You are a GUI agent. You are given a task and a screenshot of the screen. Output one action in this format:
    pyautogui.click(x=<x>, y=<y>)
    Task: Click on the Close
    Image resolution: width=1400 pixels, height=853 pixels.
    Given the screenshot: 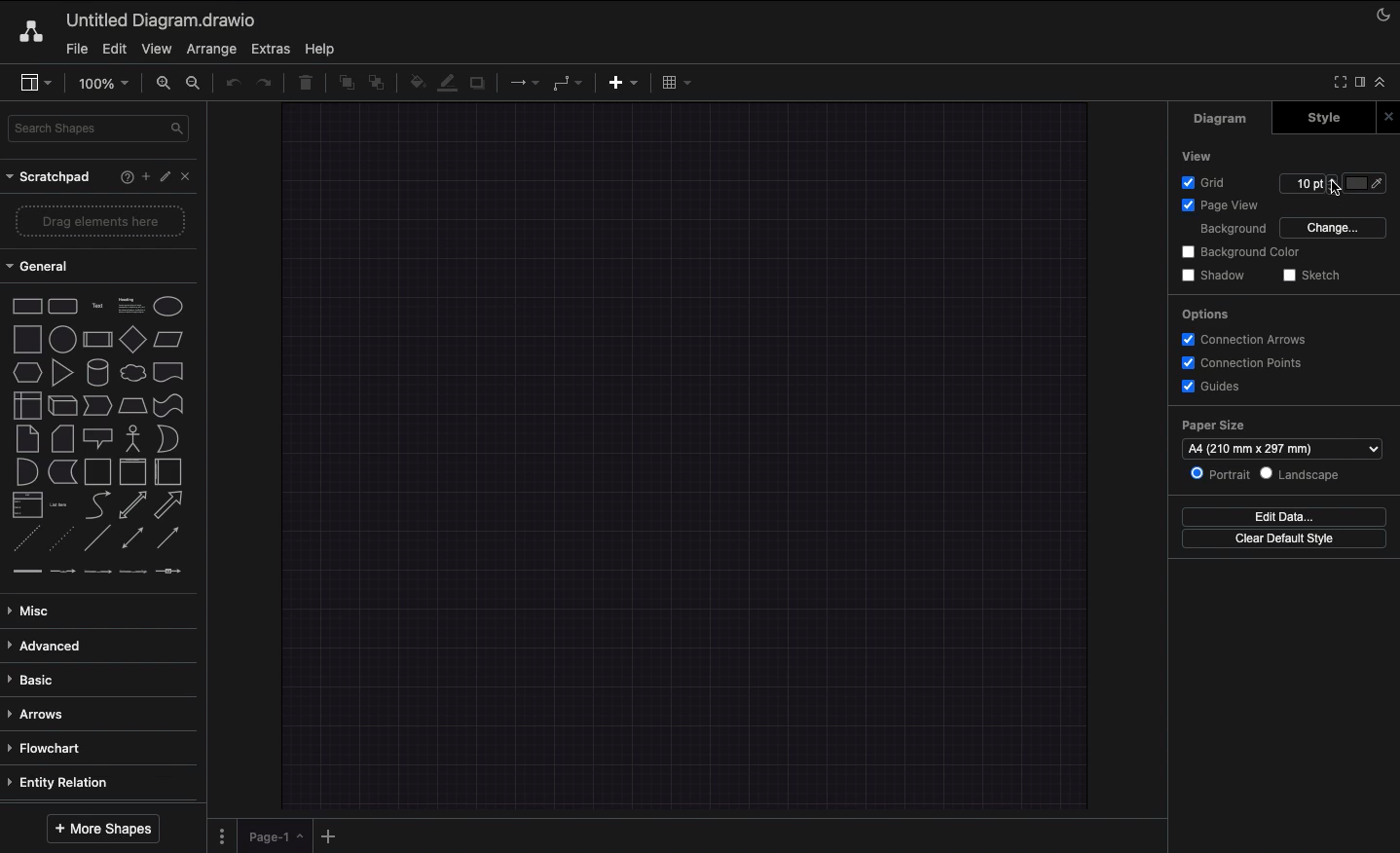 What is the action you would take?
    pyautogui.click(x=1386, y=115)
    